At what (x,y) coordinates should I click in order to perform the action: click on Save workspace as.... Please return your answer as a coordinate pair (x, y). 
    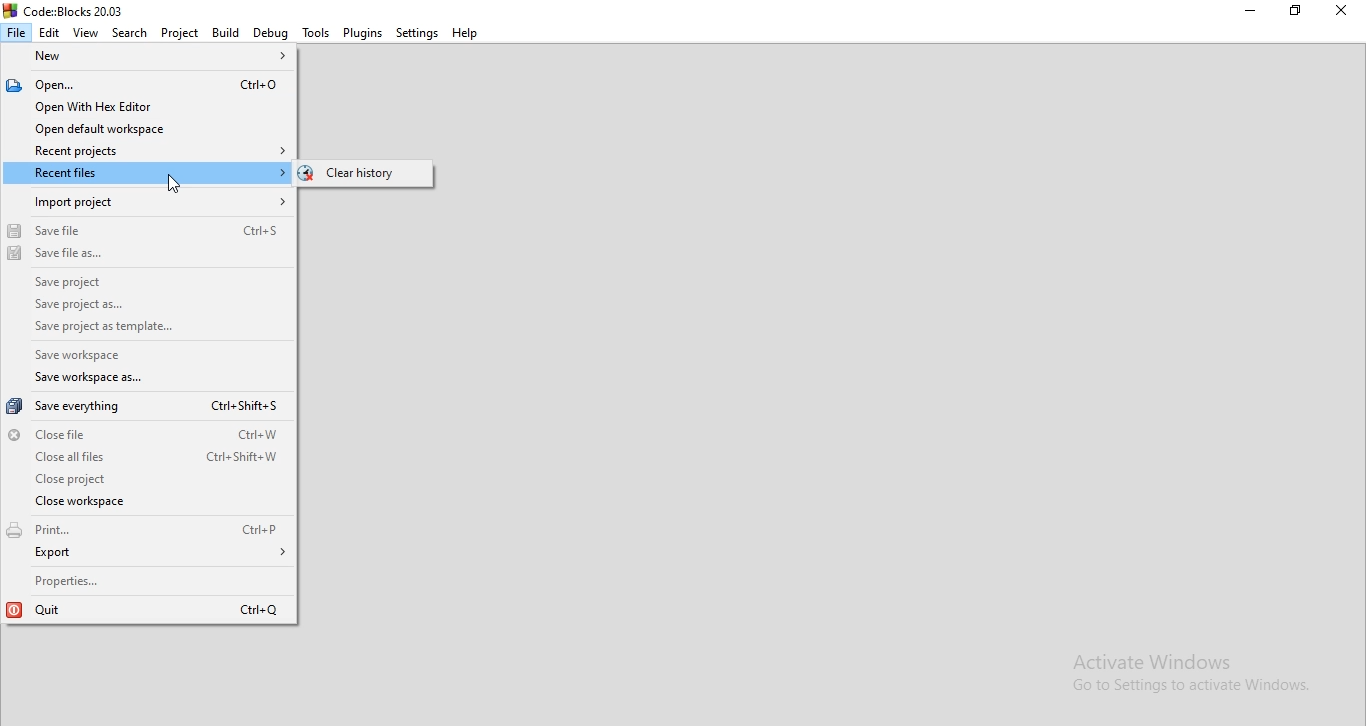
    Looking at the image, I should click on (121, 381).